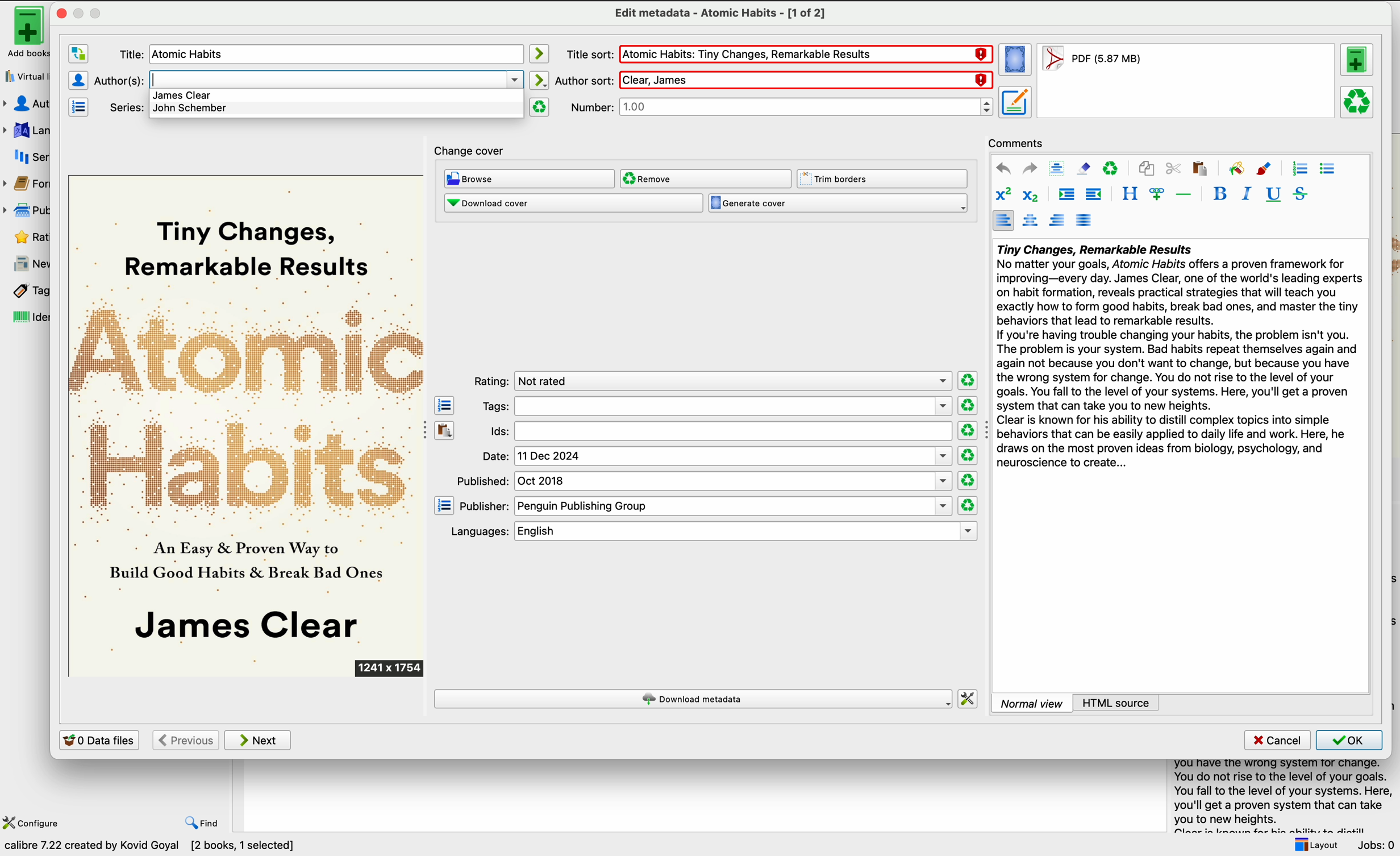 The image size is (1400, 856). Describe the element at coordinates (1278, 794) in the screenshot. I see `summary book` at that location.